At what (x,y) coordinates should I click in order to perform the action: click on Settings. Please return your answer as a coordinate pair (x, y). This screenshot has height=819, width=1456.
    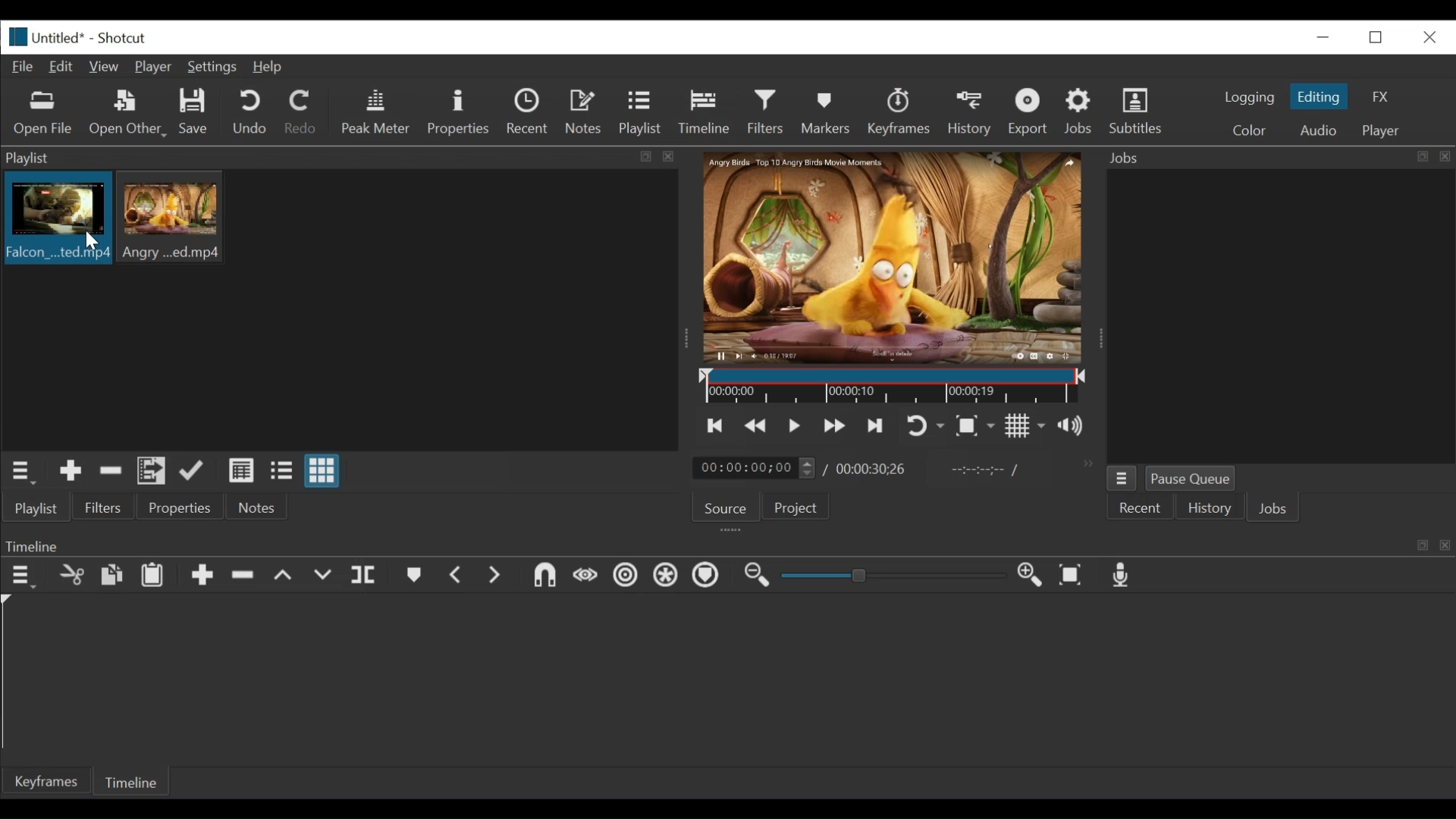
    Looking at the image, I should click on (215, 69).